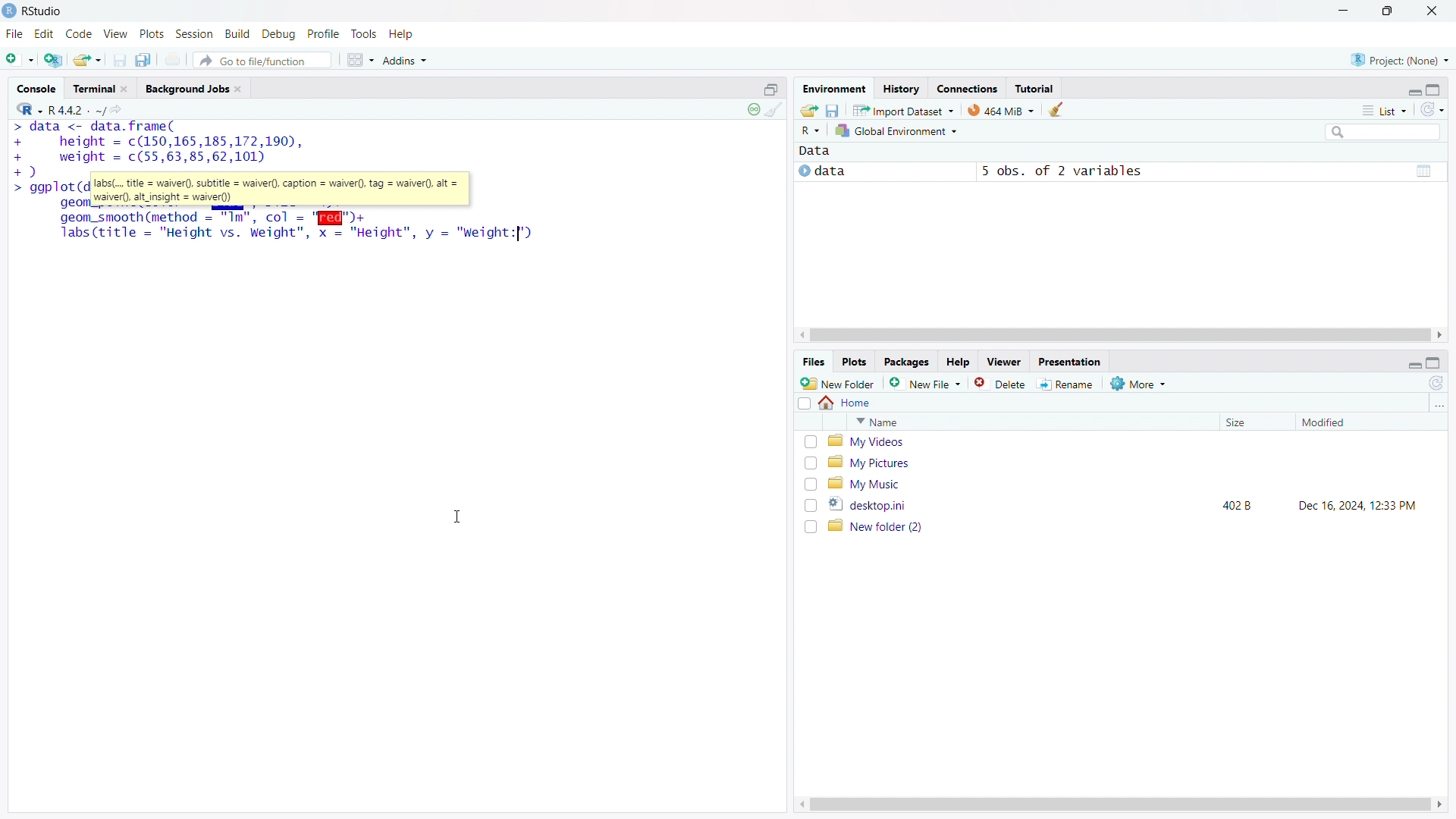 The height and width of the screenshot is (819, 1456). Describe the element at coordinates (1119, 804) in the screenshot. I see `horizontal scrollbar` at that location.